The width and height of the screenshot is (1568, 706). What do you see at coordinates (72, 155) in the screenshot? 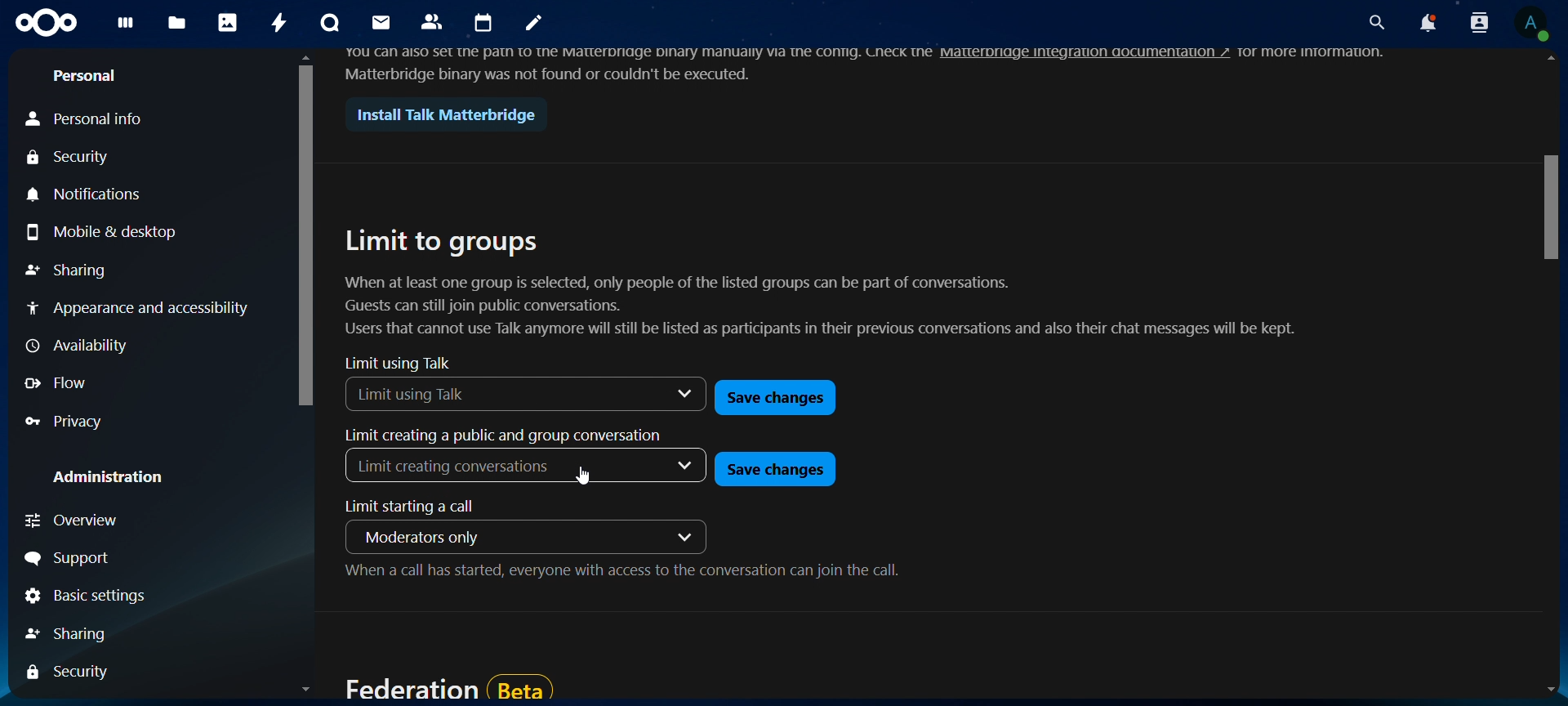
I see `Security` at bounding box center [72, 155].